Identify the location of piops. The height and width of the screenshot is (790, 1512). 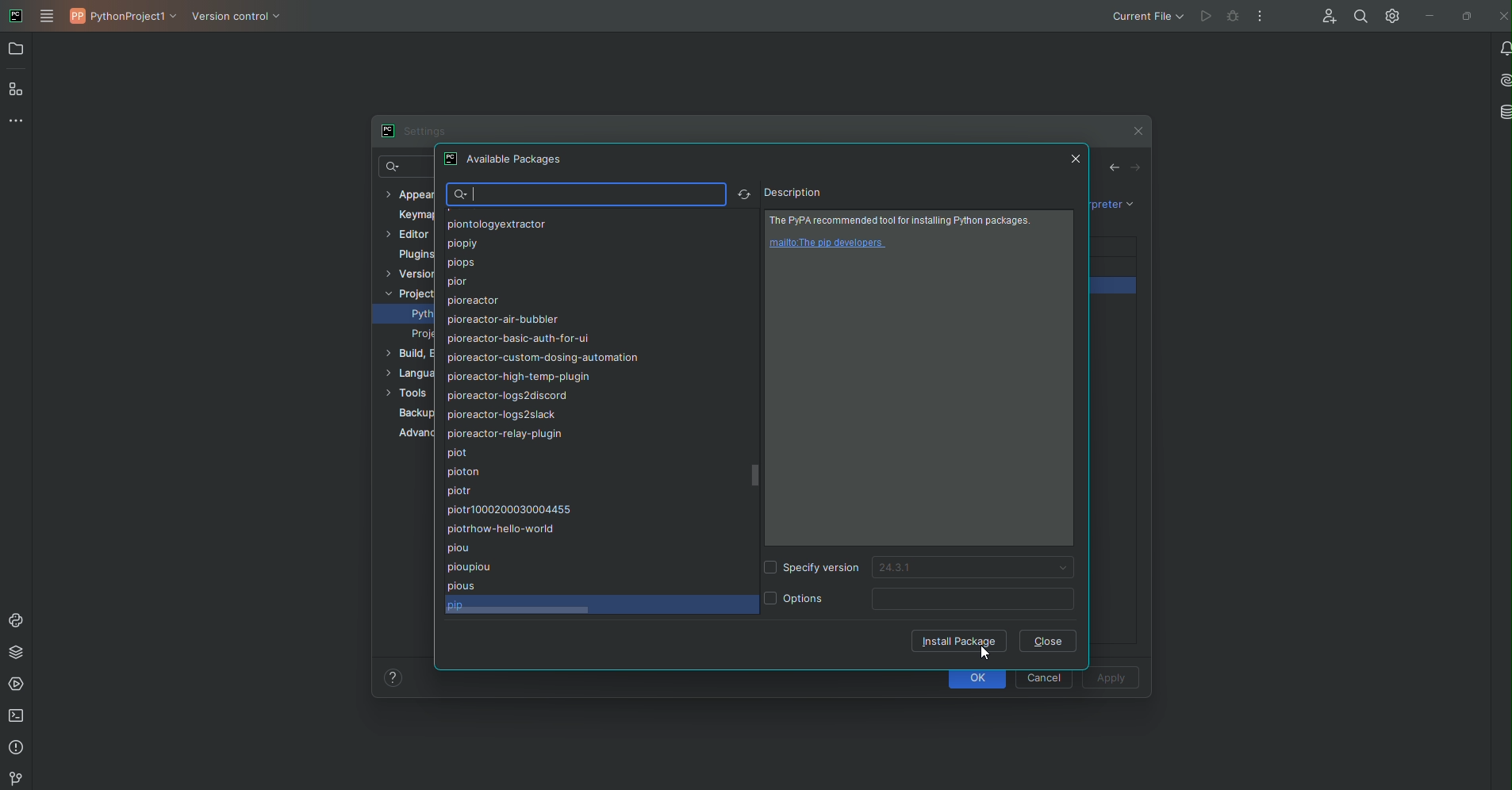
(461, 262).